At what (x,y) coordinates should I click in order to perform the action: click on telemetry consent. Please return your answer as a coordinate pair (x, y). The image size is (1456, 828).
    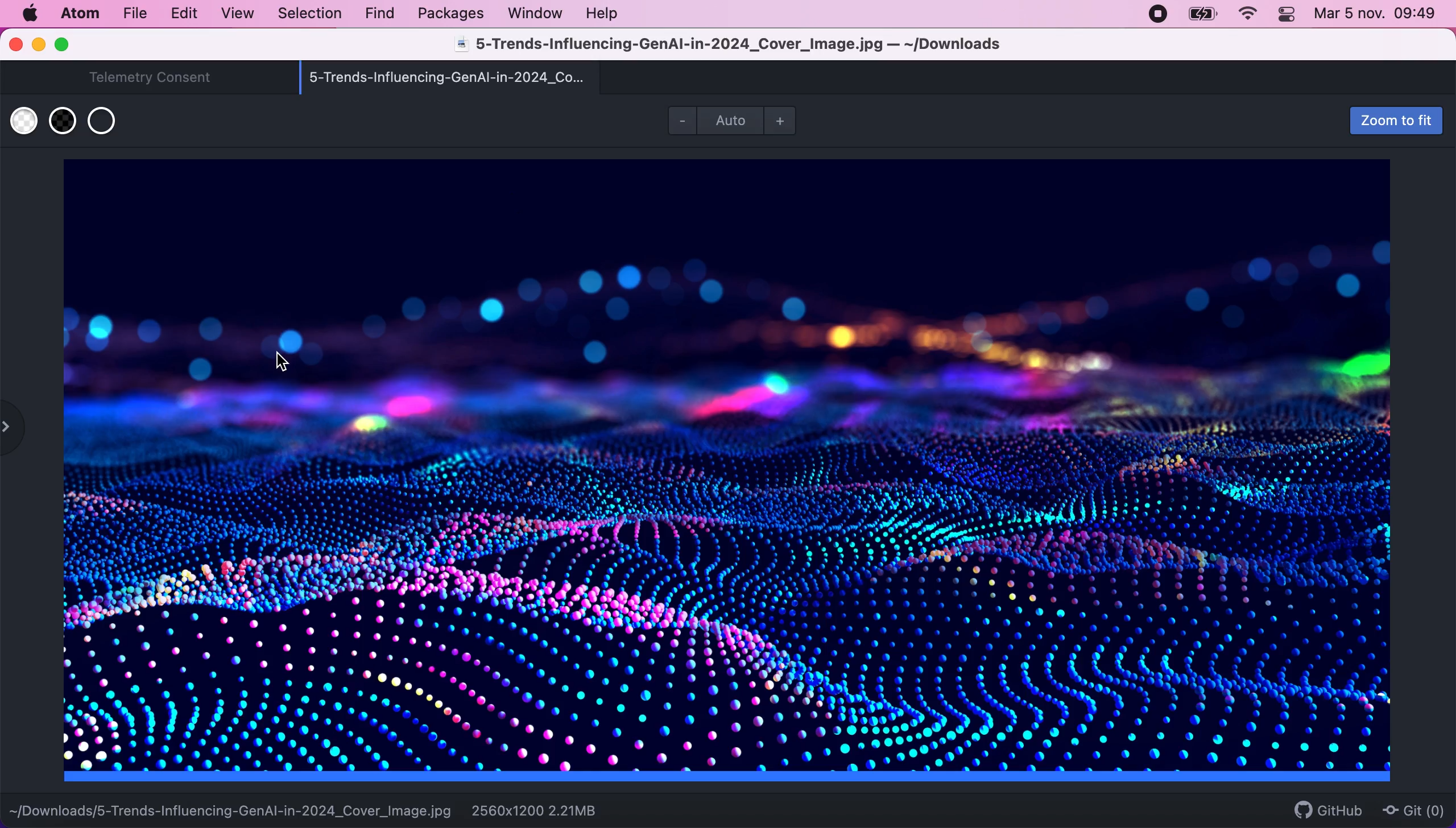
    Looking at the image, I should click on (147, 78).